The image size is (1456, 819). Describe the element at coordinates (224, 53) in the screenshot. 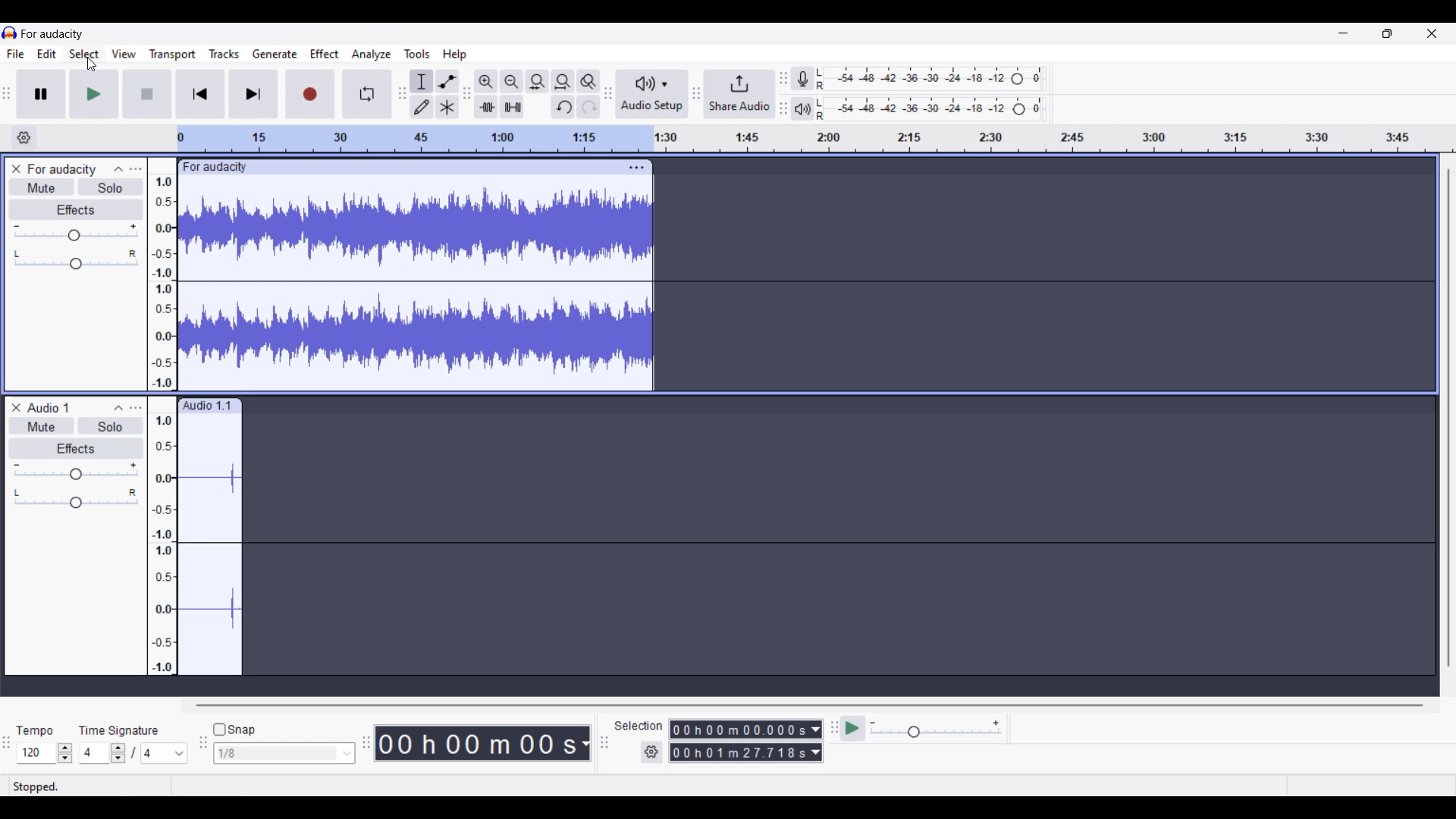

I see `Tracks` at that location.